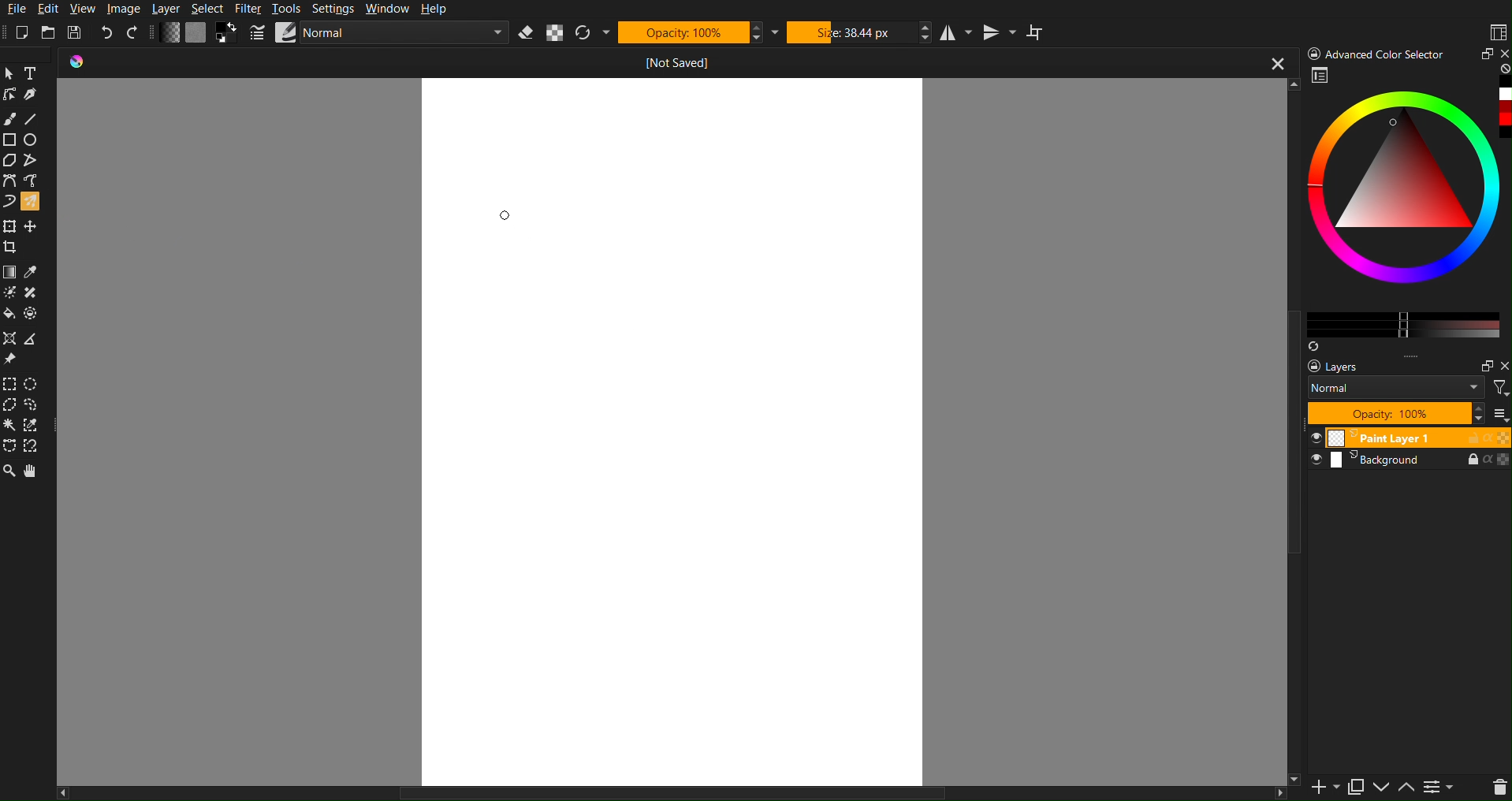 This screenshot has height=801, width=1512. Describe the element at coordinates (9, 293) in the screenshot. I see `Colorise Mask` at that location.